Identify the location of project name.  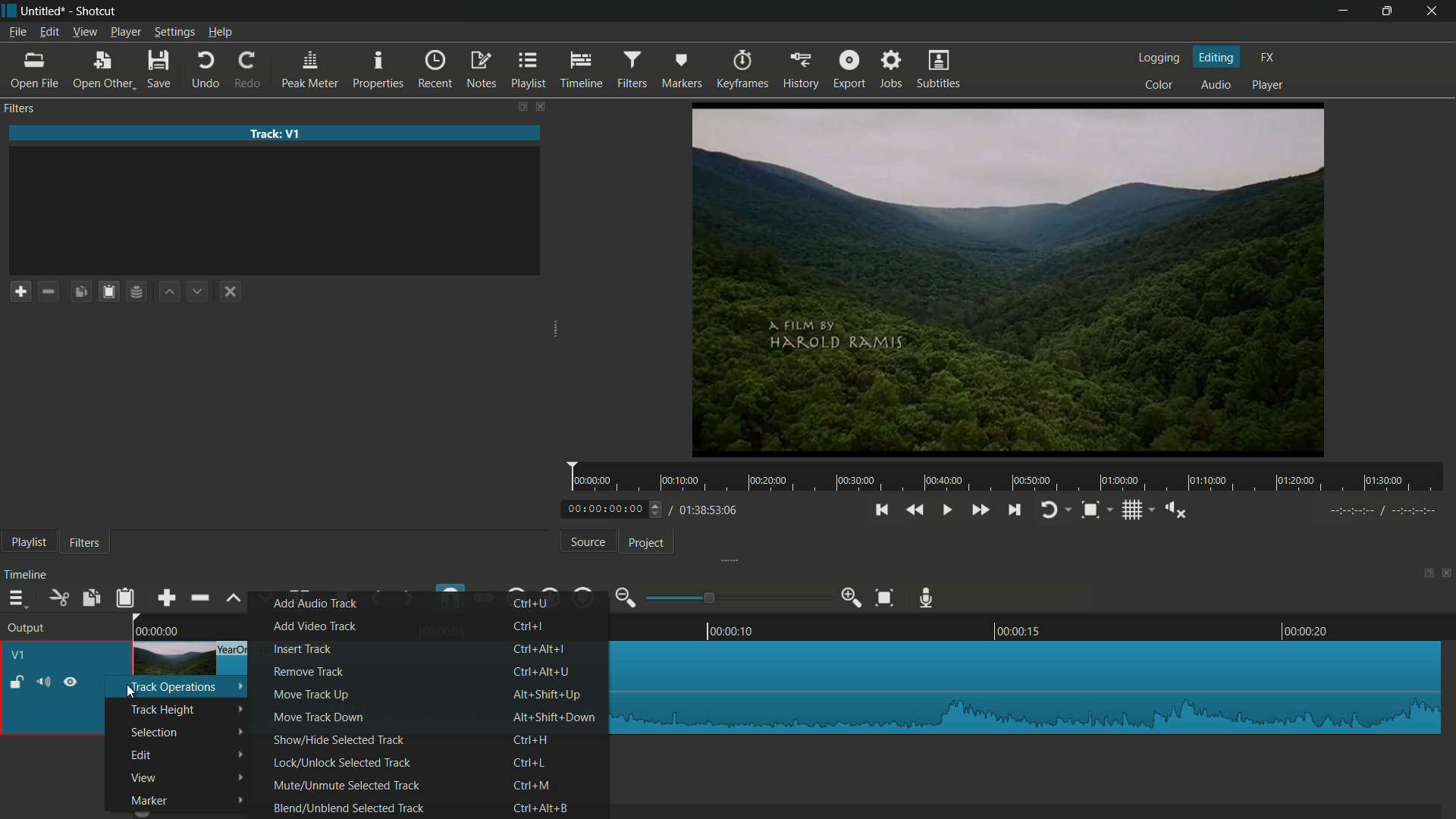
(43, 11).